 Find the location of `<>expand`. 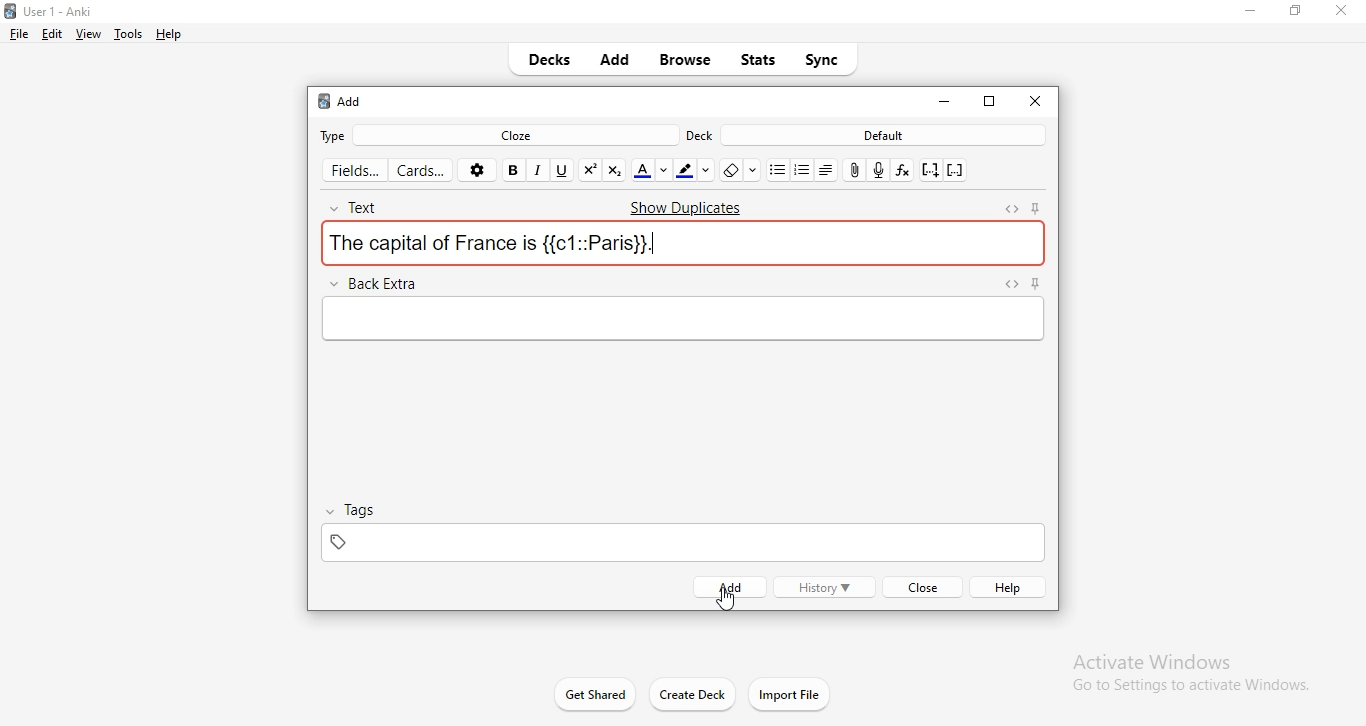

<>expand is located at coordinates (1013, 208).